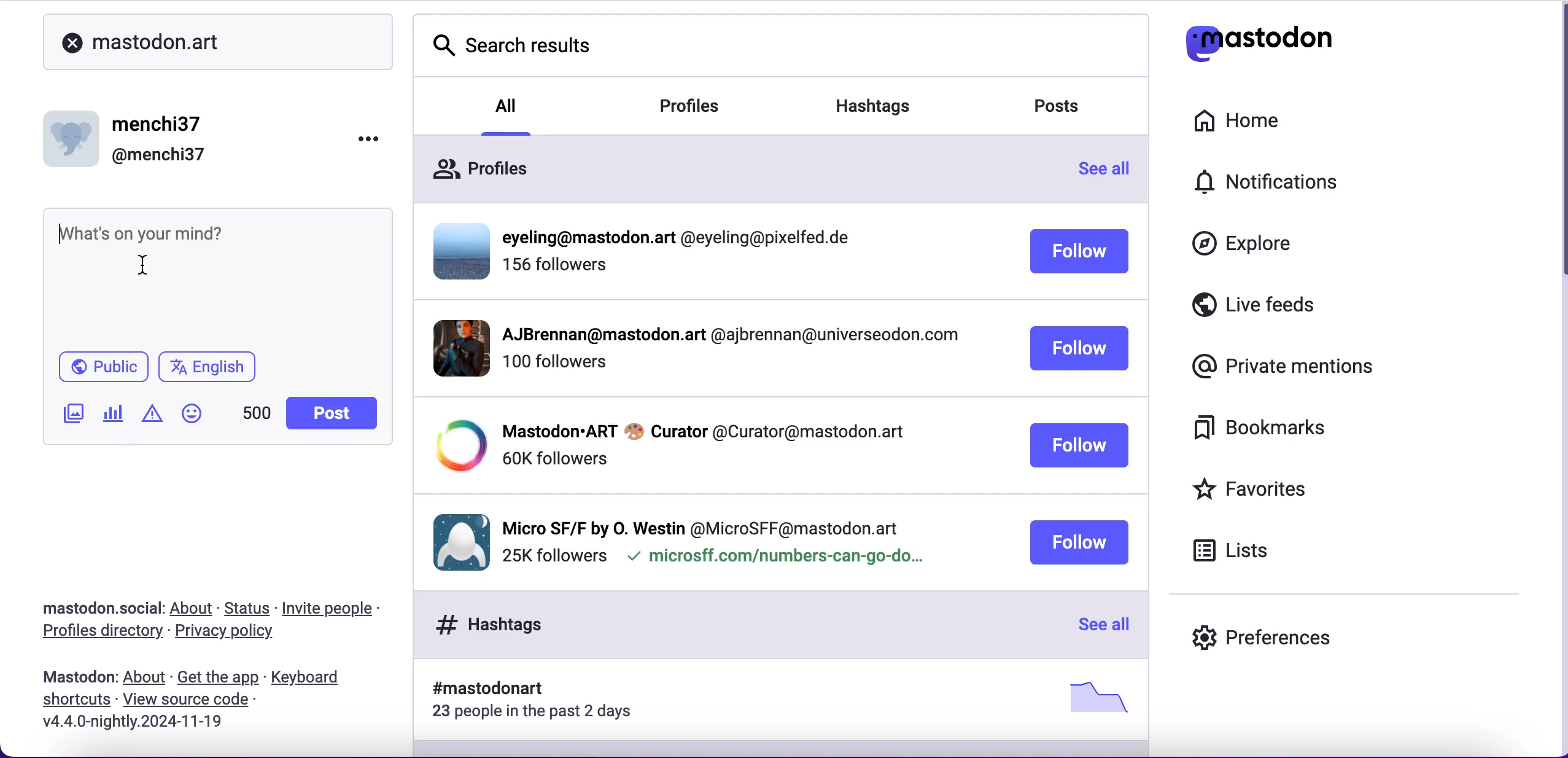 This screenshot has height=758, width=1568. Describe the element at coordinates (554, 459) in the screenshot. I see `followers` at that location.